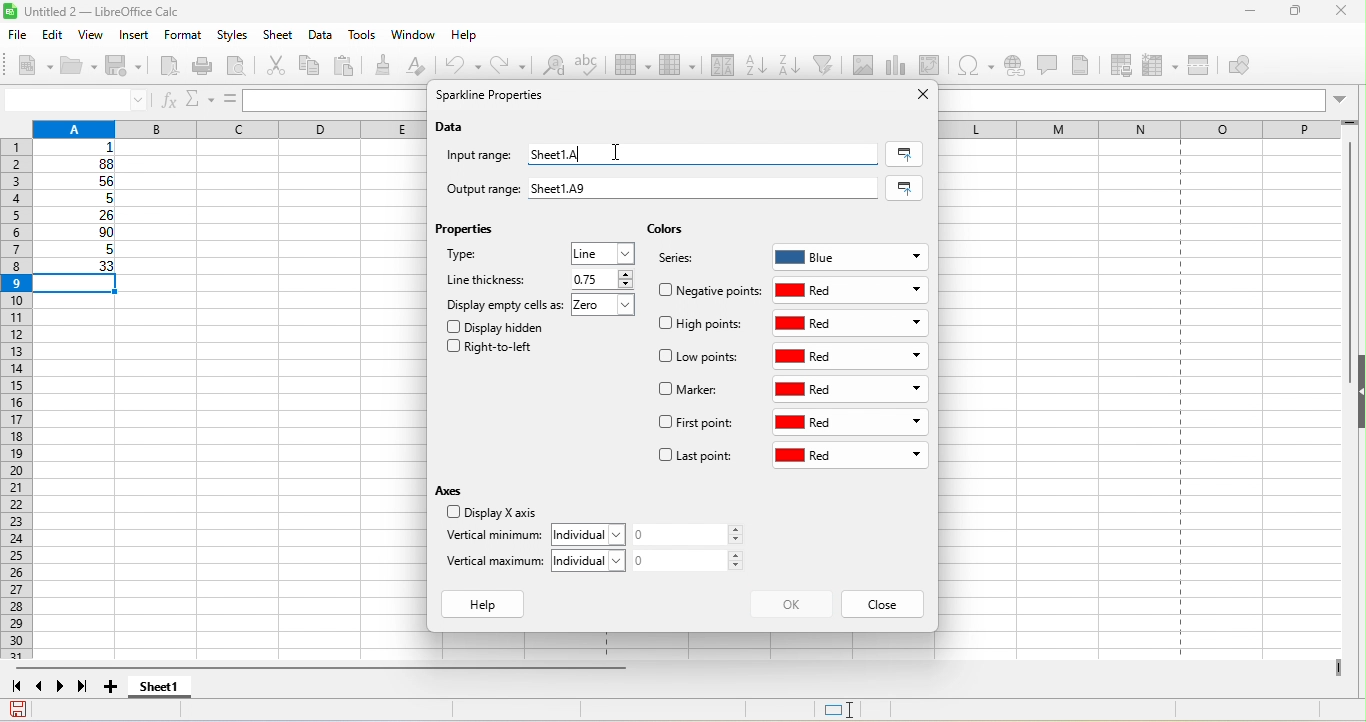  What do you see at coordinates (692, 391) in the screenshot?
I see `marker` at bounding box center [692, 391].